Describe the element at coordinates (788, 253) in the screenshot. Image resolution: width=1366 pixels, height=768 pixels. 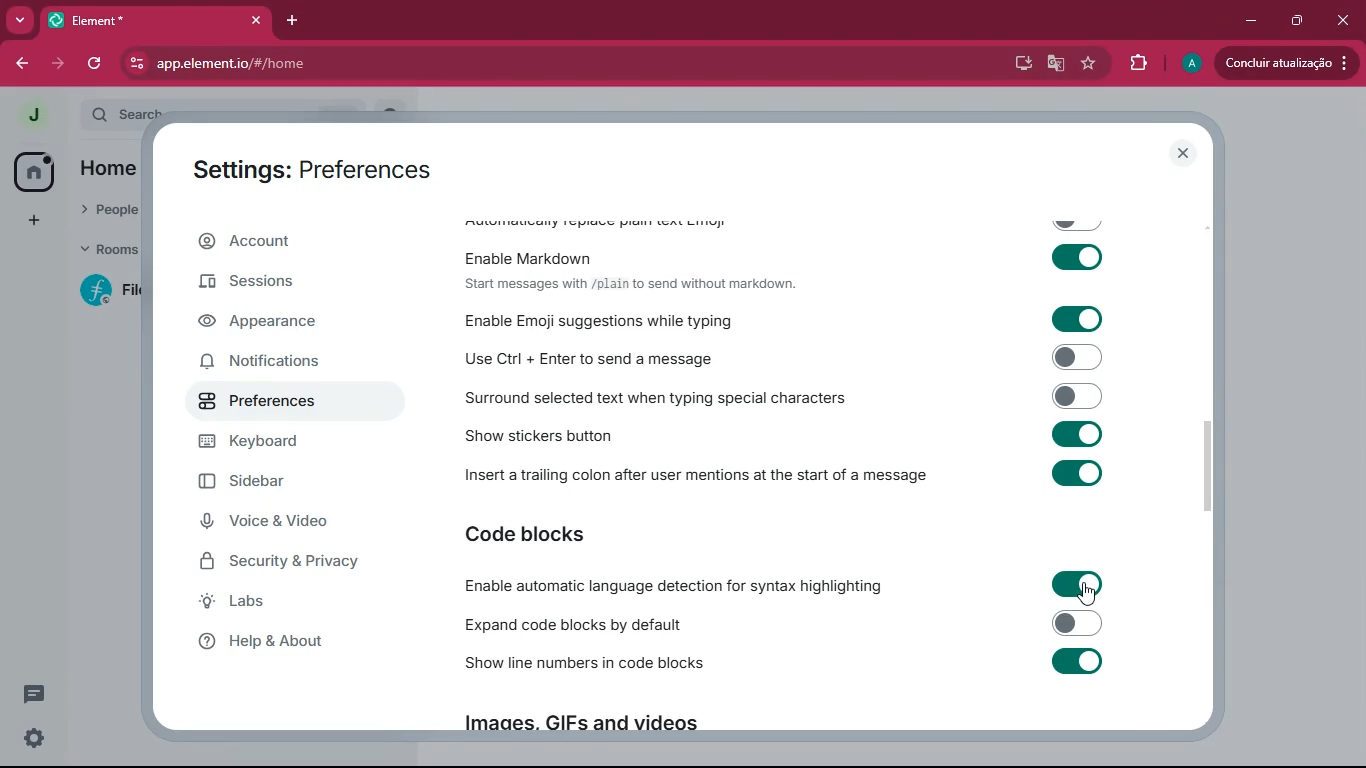
I see `Enable Markdown` at that location.